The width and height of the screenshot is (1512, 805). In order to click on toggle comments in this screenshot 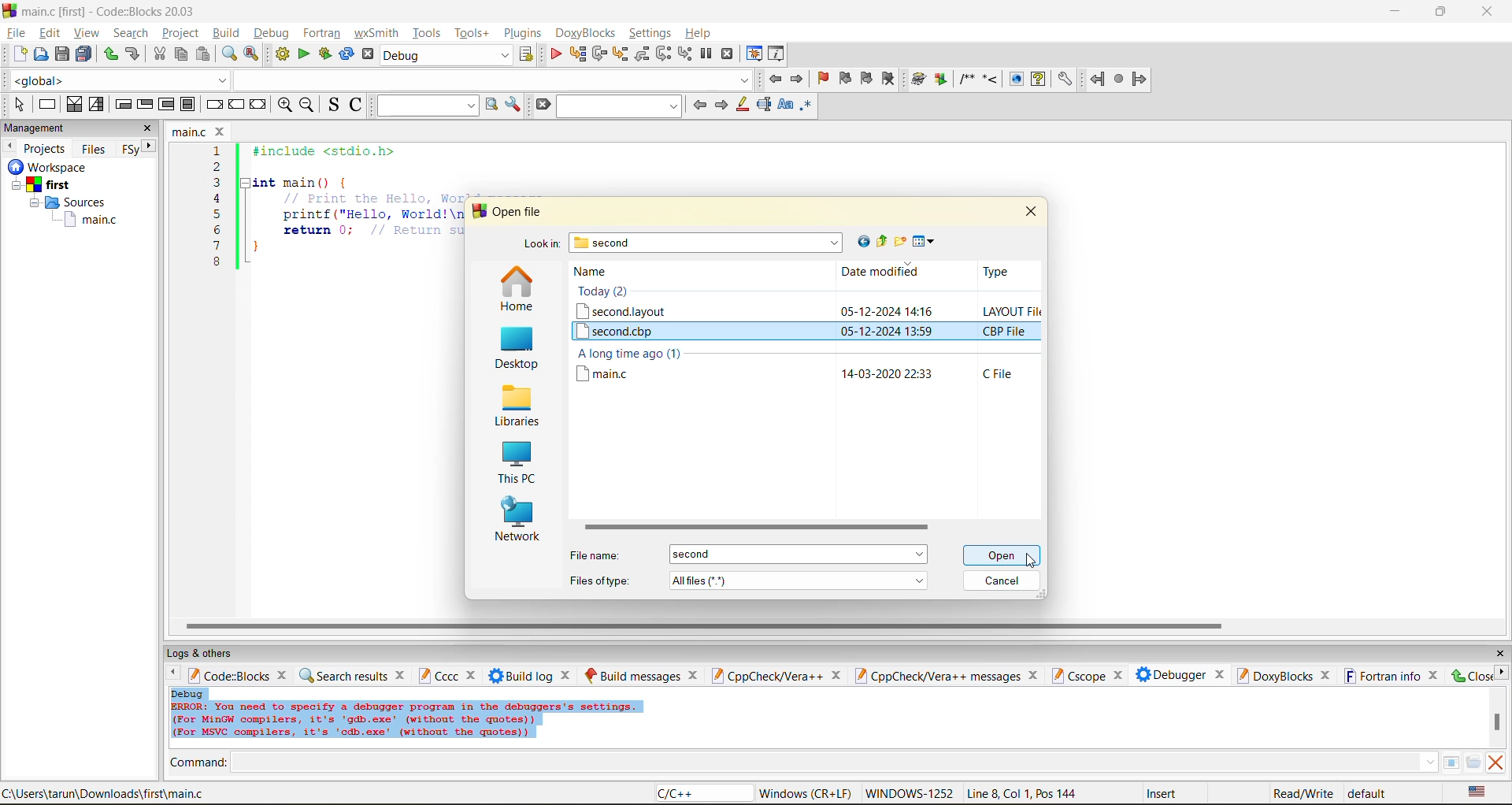, I will do `click(358, 104)`.